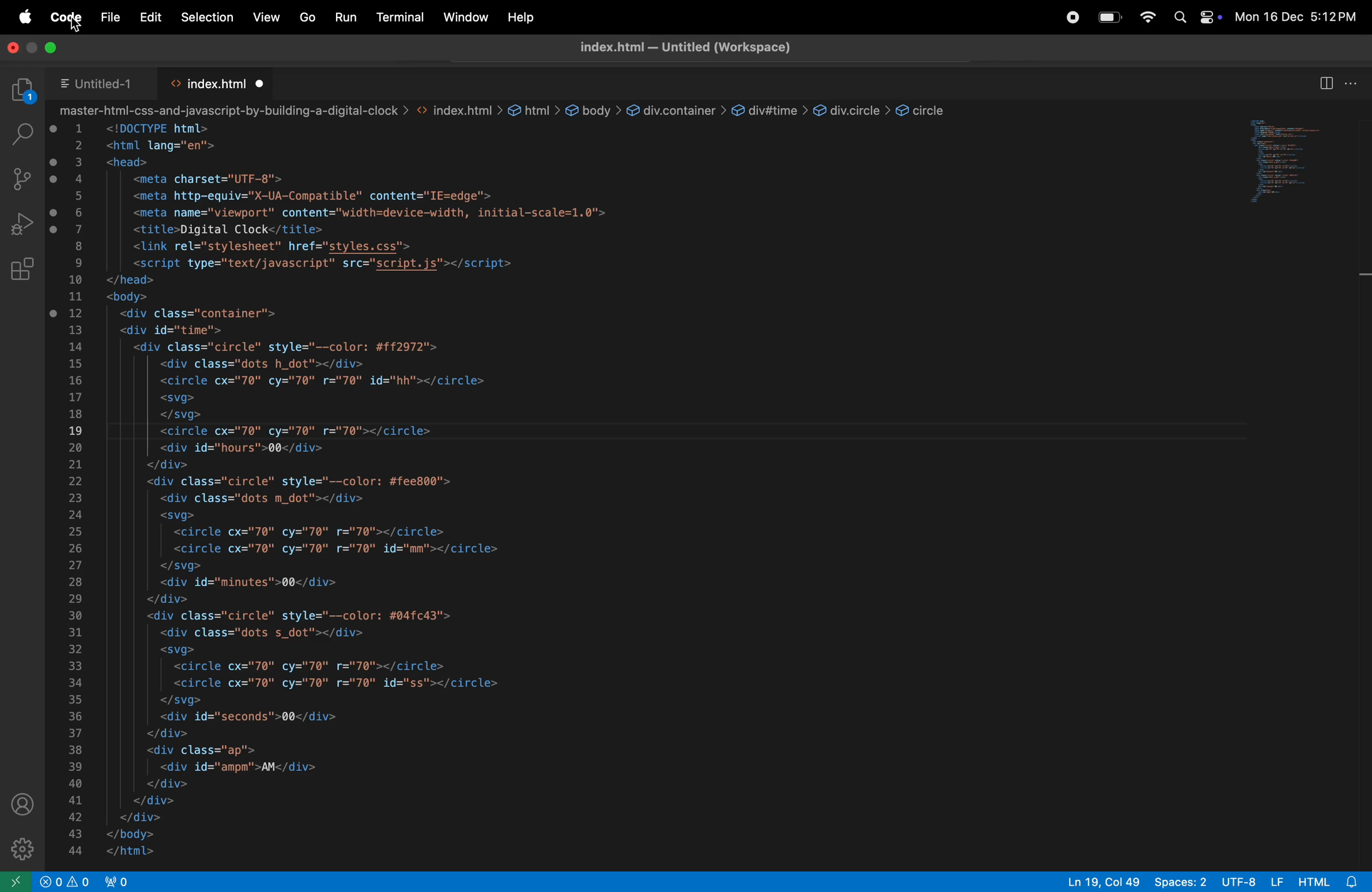  Describe the element at coordinates (22, 880) in the screenshot. I see `open remote window` at that location.